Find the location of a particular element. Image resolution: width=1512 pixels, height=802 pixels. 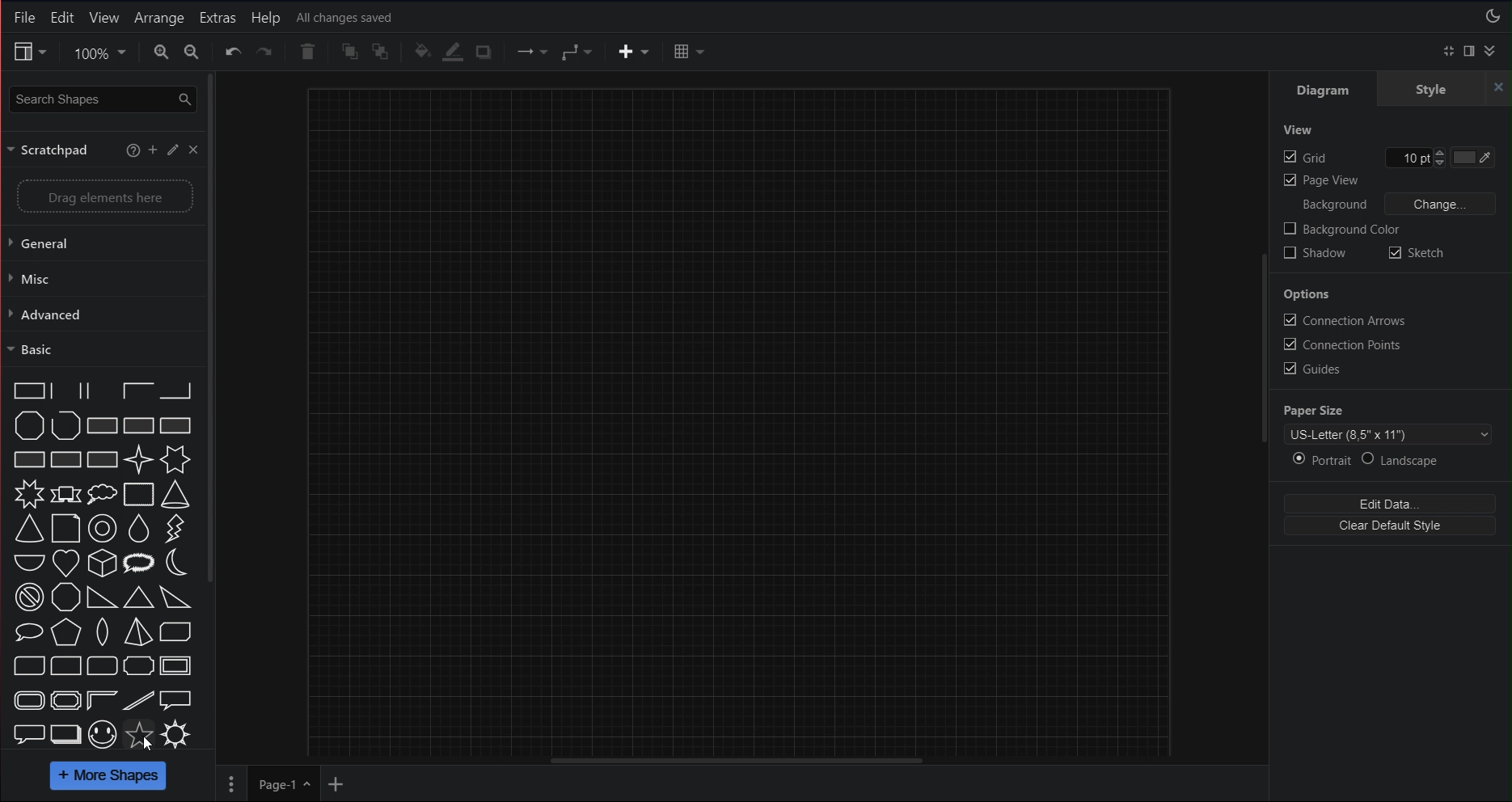

rectangle with diagonal fill is located at coordinates (100, 425).